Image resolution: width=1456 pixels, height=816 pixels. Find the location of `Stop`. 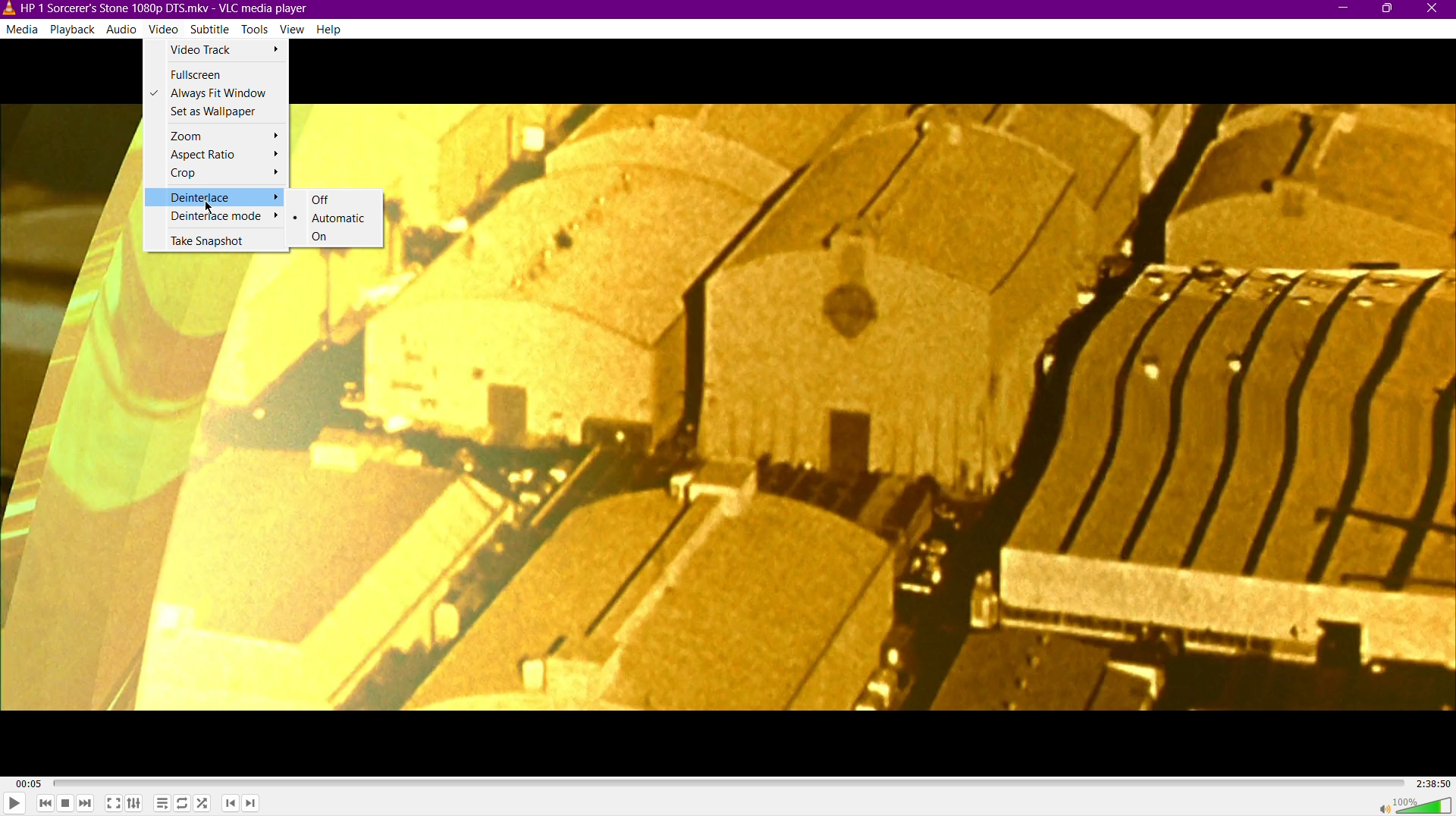

Stop is located at coordinates (67, 804).